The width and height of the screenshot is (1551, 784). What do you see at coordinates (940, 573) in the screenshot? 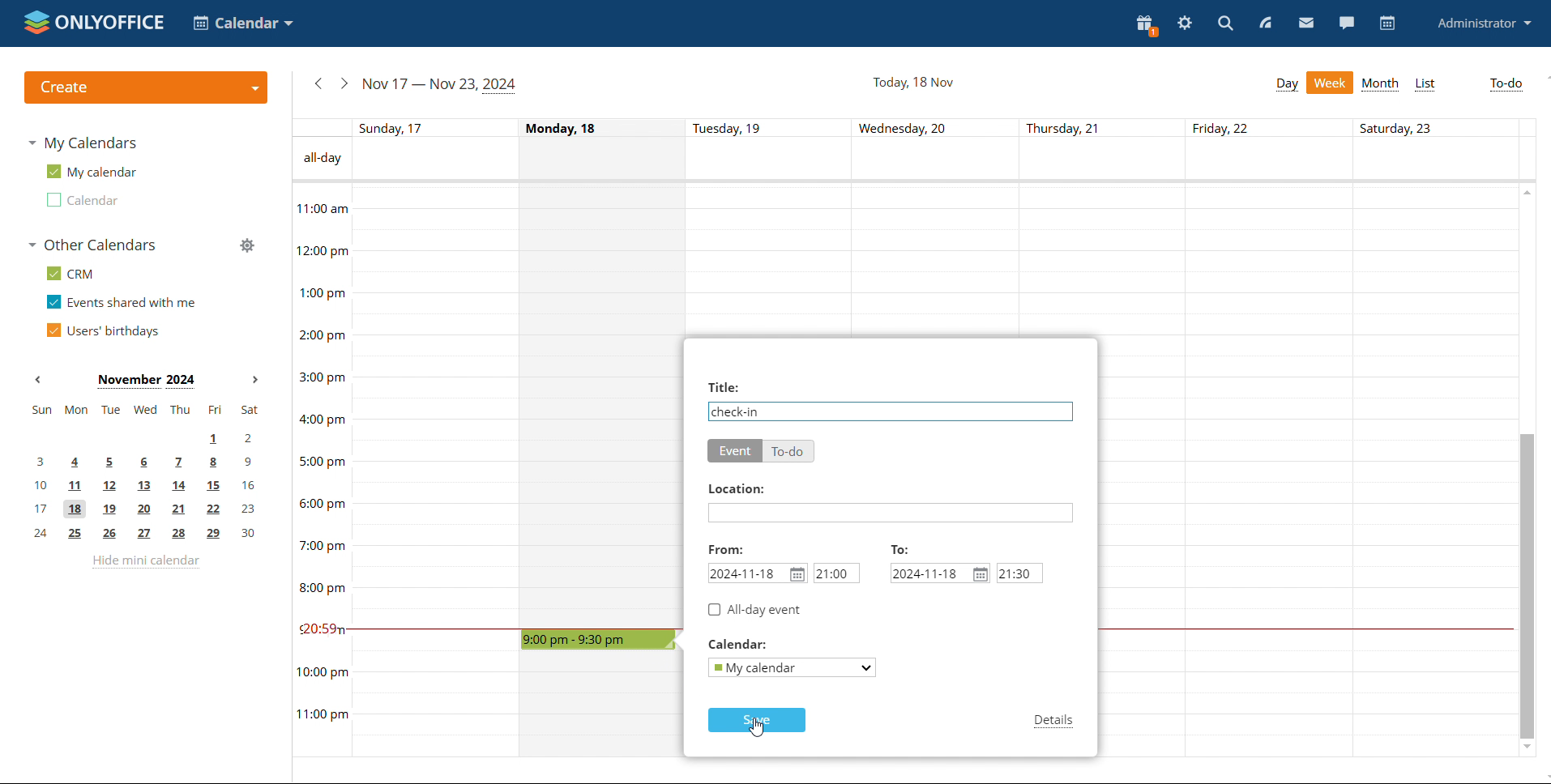
I see `end date` at bounding box center [940, 573].